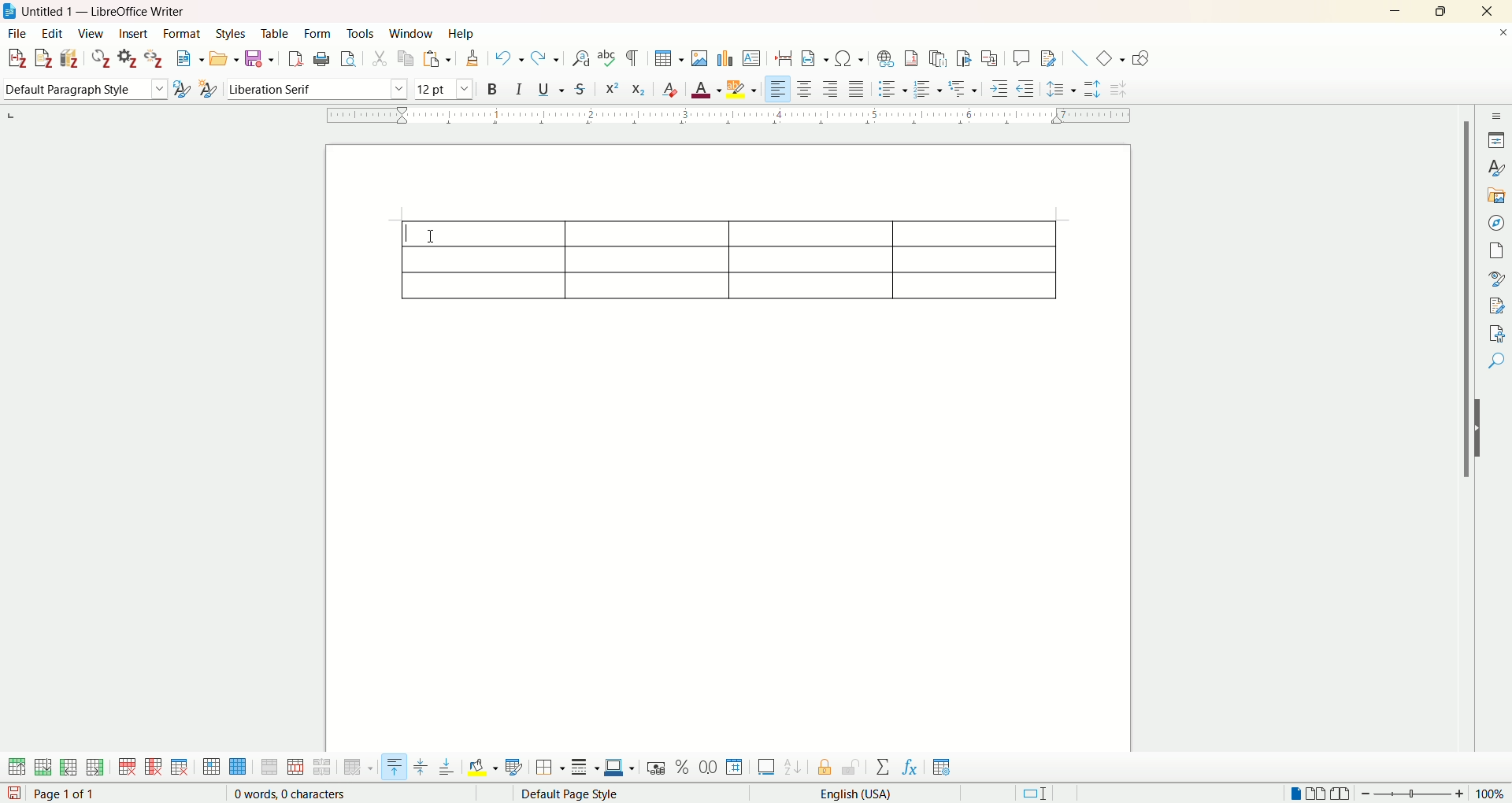 Image resolution: width=1512 pixels, height=803 pixels. I want to click on protect cell, so click(825, 764).